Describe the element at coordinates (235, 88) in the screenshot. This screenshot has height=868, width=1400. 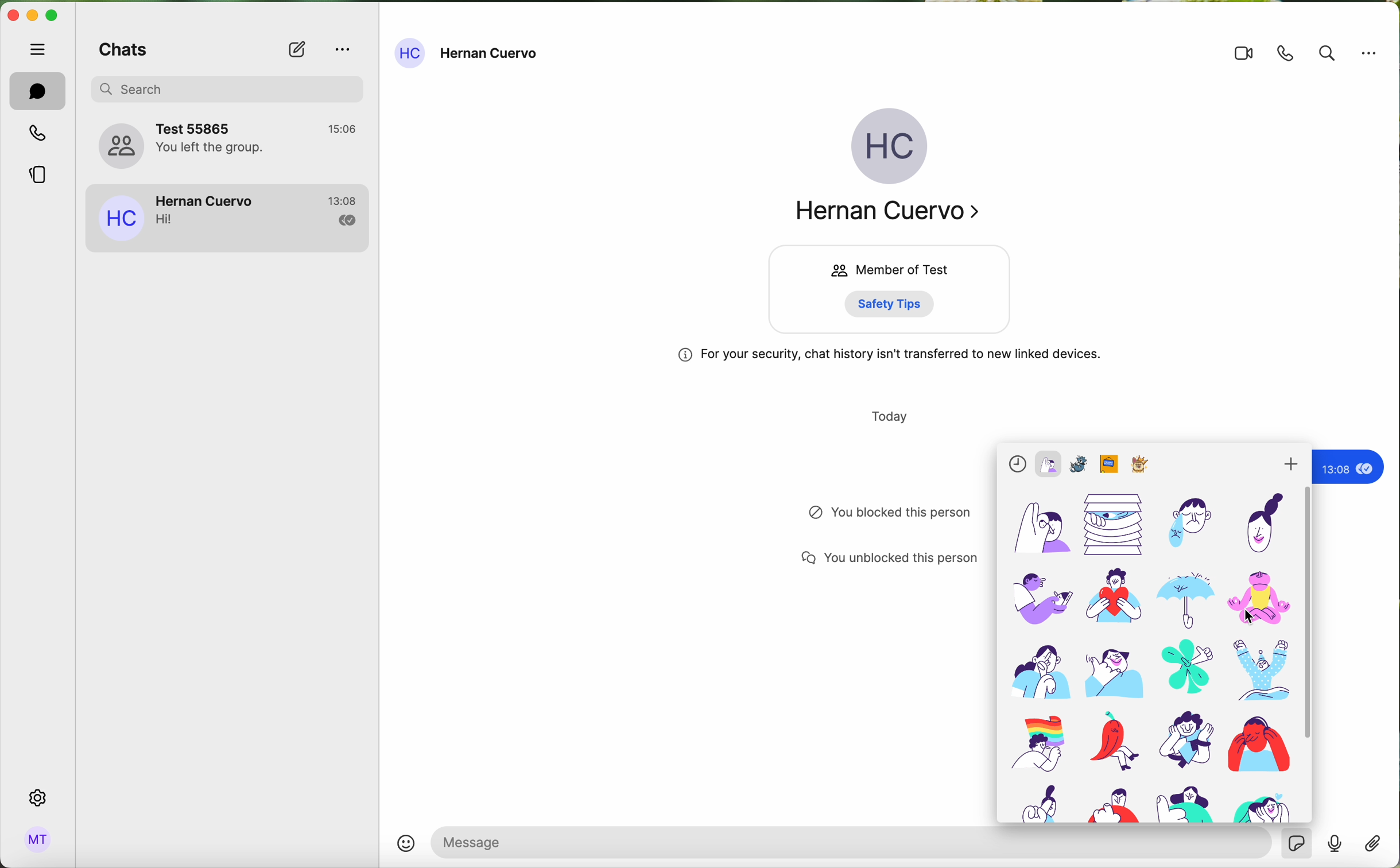
I see `search bar` at that location.